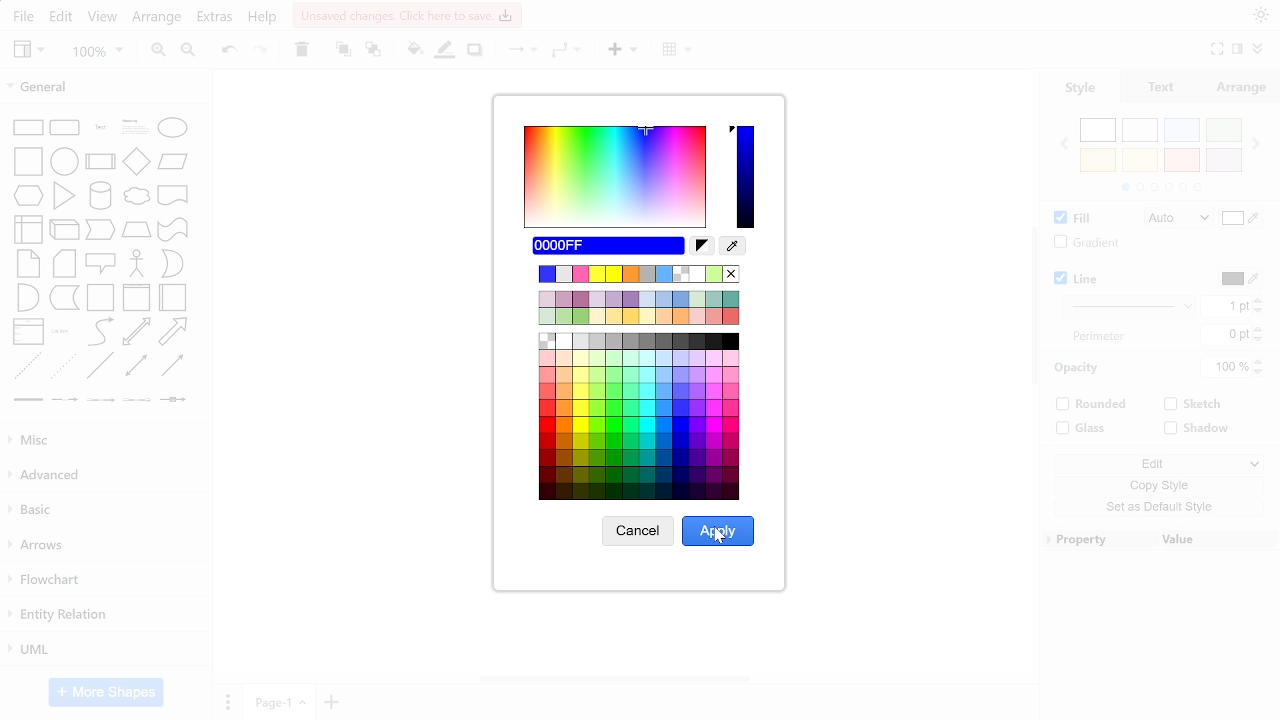  Describe the element at coordinates (622, 52) in the screenshot. I see `insert` at that location.